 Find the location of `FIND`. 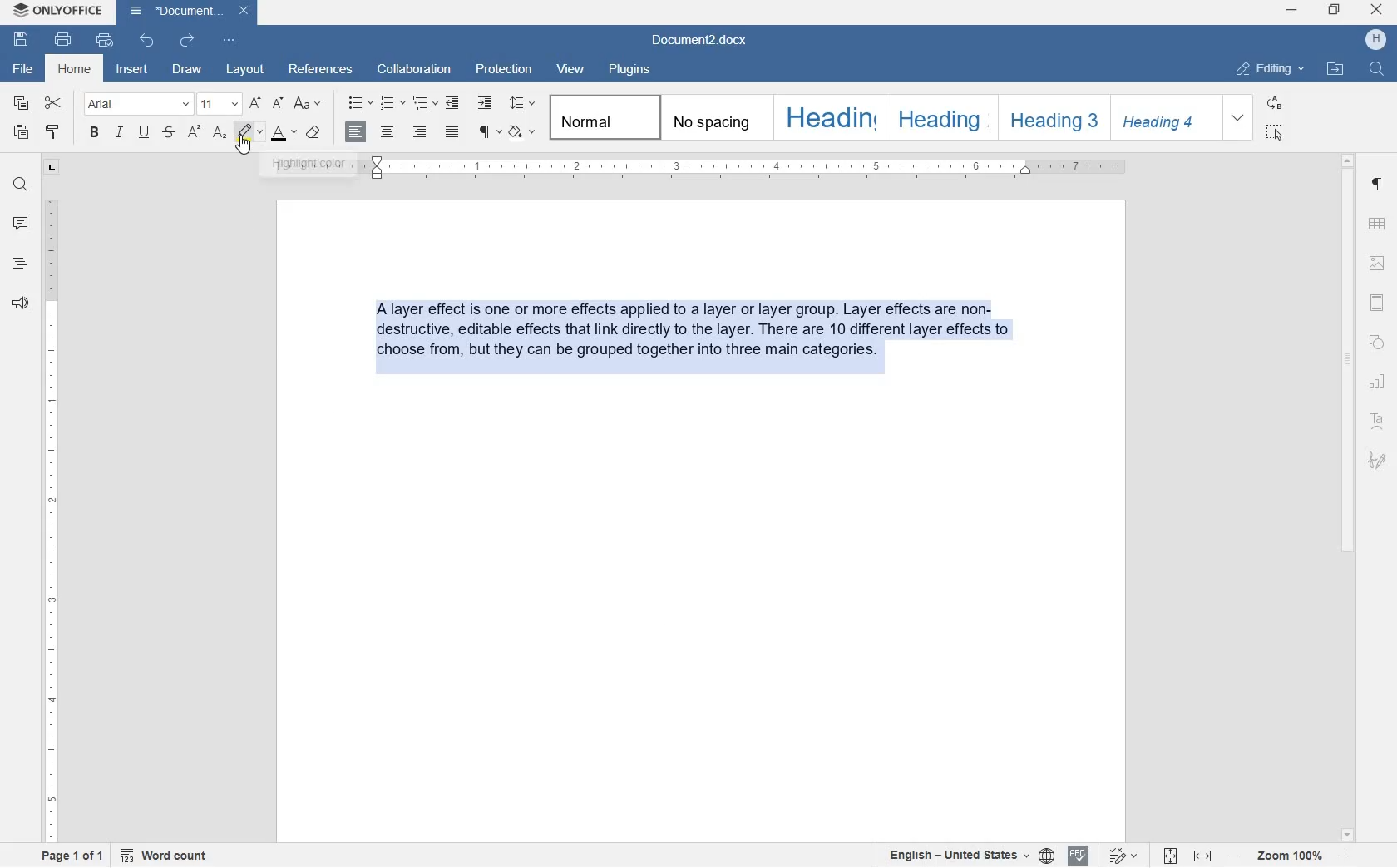

FIND is located at coordinates (19, 184).